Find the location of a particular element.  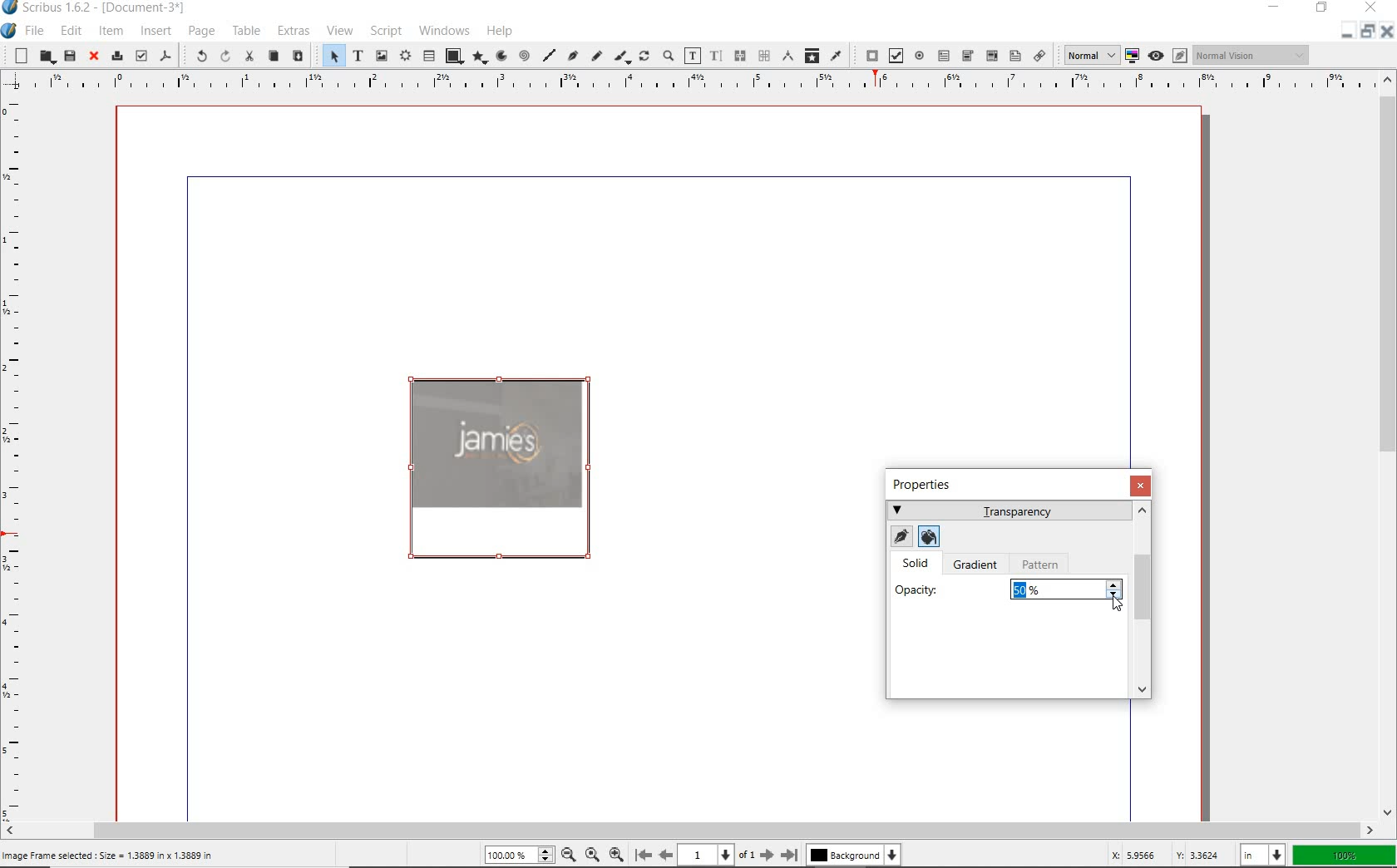

GRADIENT is located at coordinates (979, 566).